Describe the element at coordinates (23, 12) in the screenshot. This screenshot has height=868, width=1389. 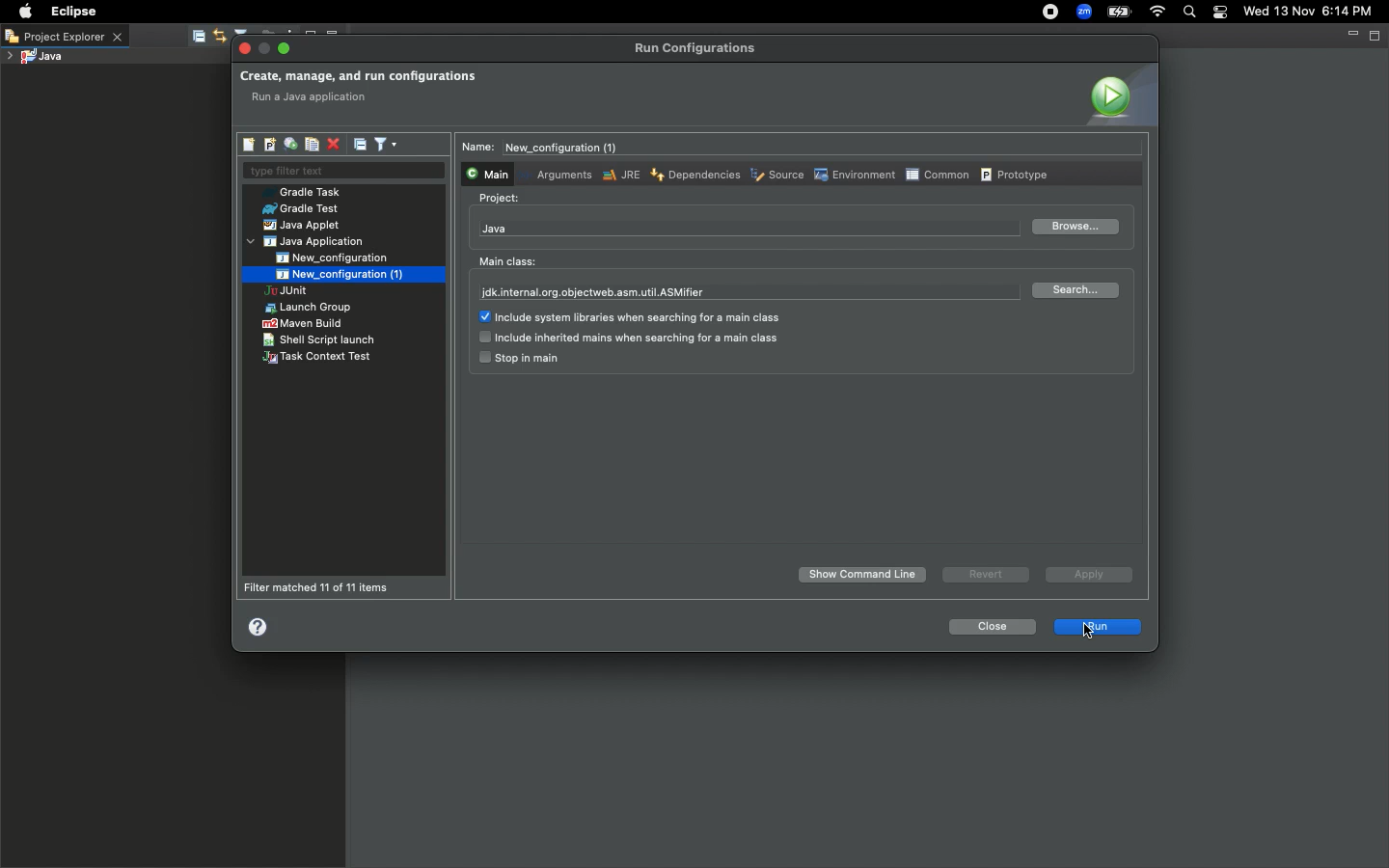
I see `Apple logo` at that location.